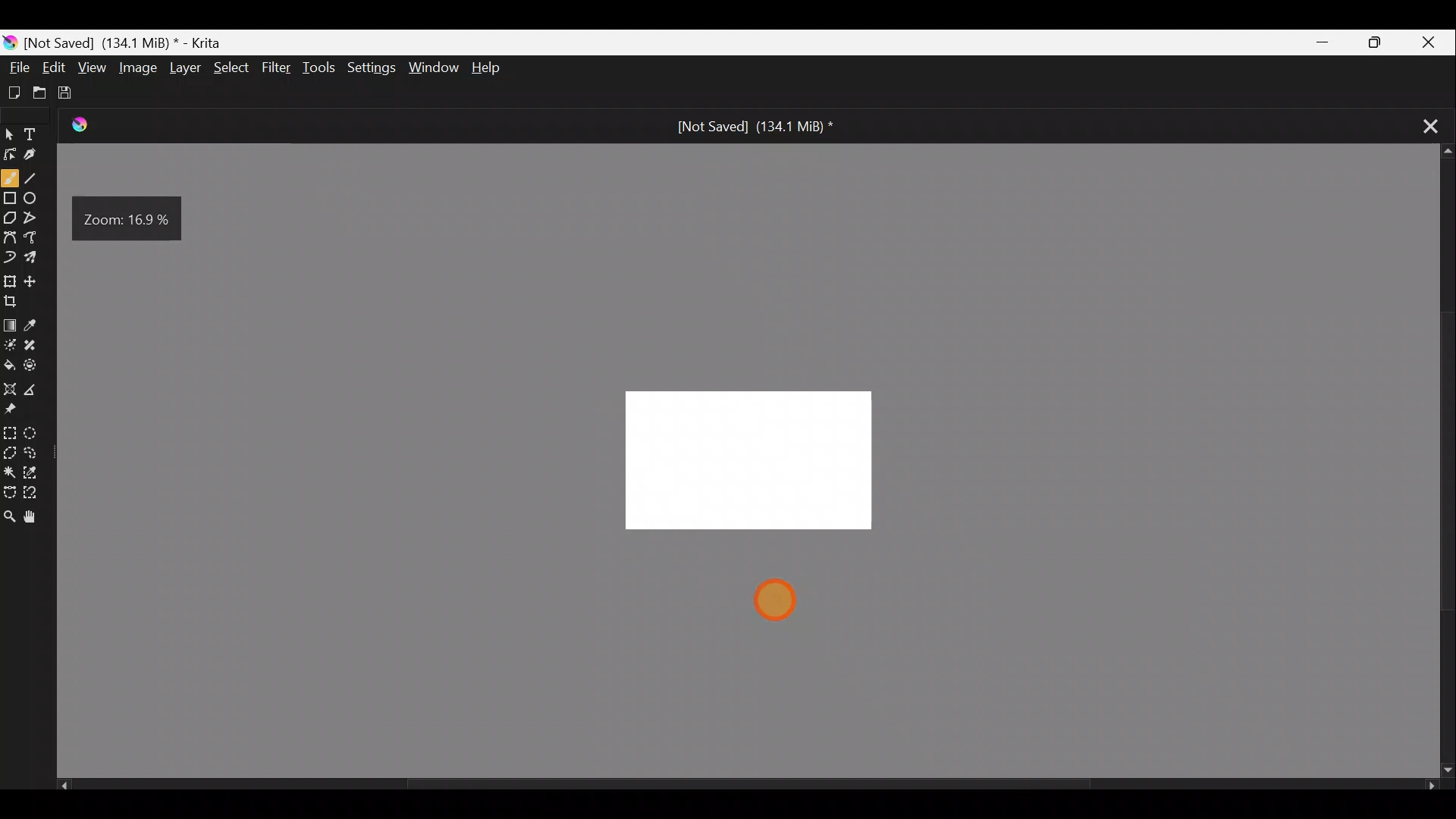 The width and height of the screenshot is (1456, 819). Describe the element at coordinates (86, 124) in the screenshot. I see `Krita Logo` at that location.